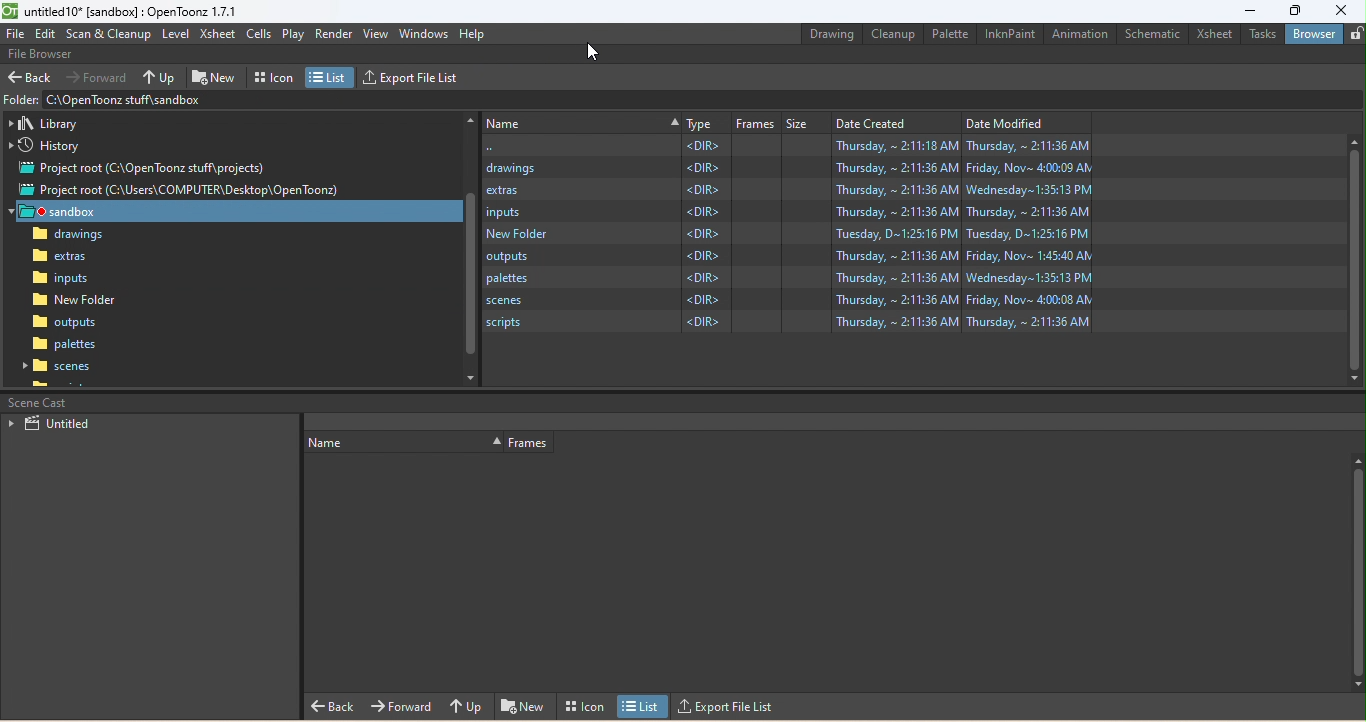  What do you see at coordinates (787, 302) in the screenshot?
I see `scripts` at bounding box center [787, 302].